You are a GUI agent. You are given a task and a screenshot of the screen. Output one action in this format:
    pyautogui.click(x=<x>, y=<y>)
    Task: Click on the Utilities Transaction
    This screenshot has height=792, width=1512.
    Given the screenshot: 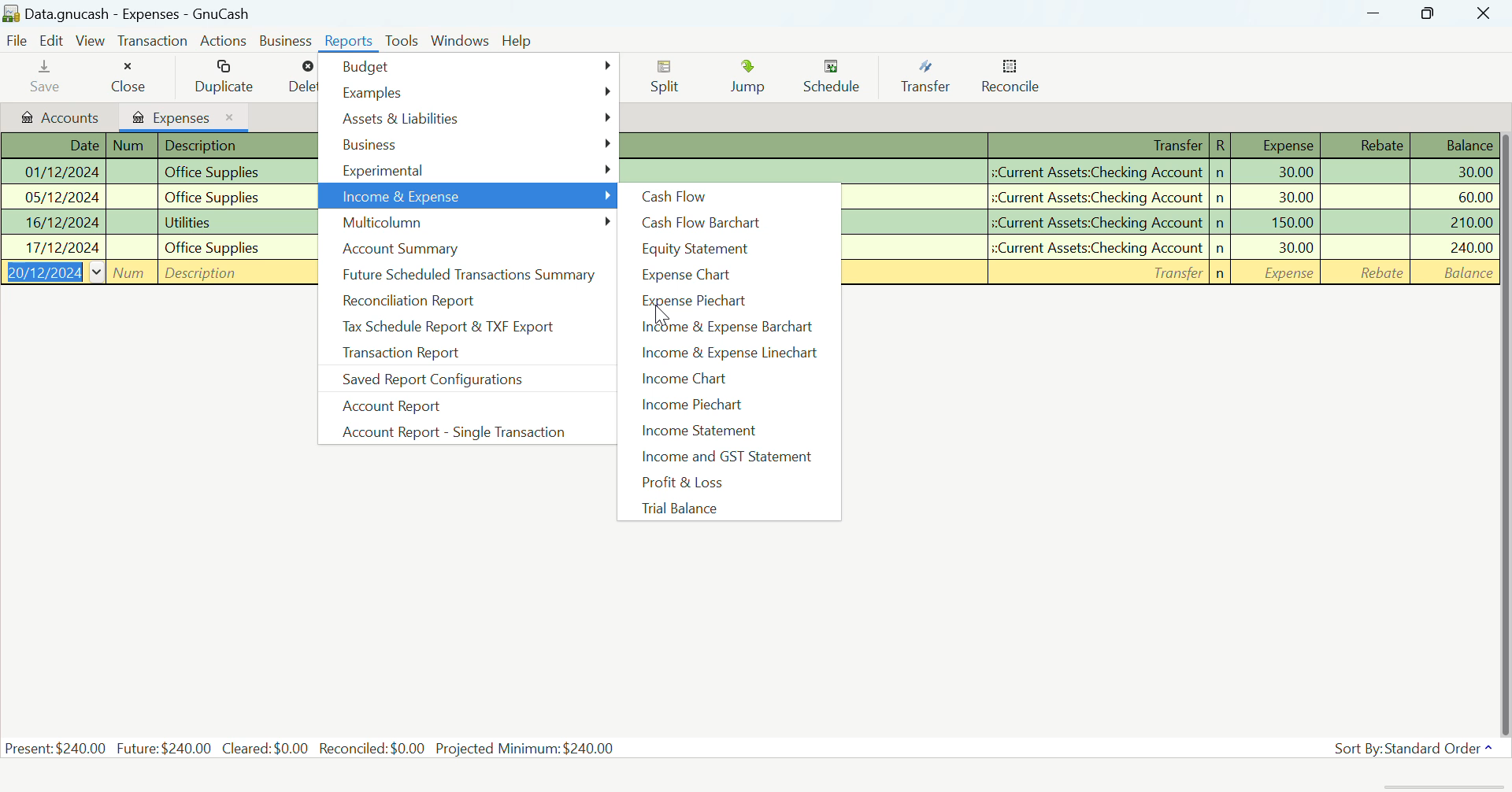 What is the action you would take?
    pyautogui.click(x=1172, y=222)
    